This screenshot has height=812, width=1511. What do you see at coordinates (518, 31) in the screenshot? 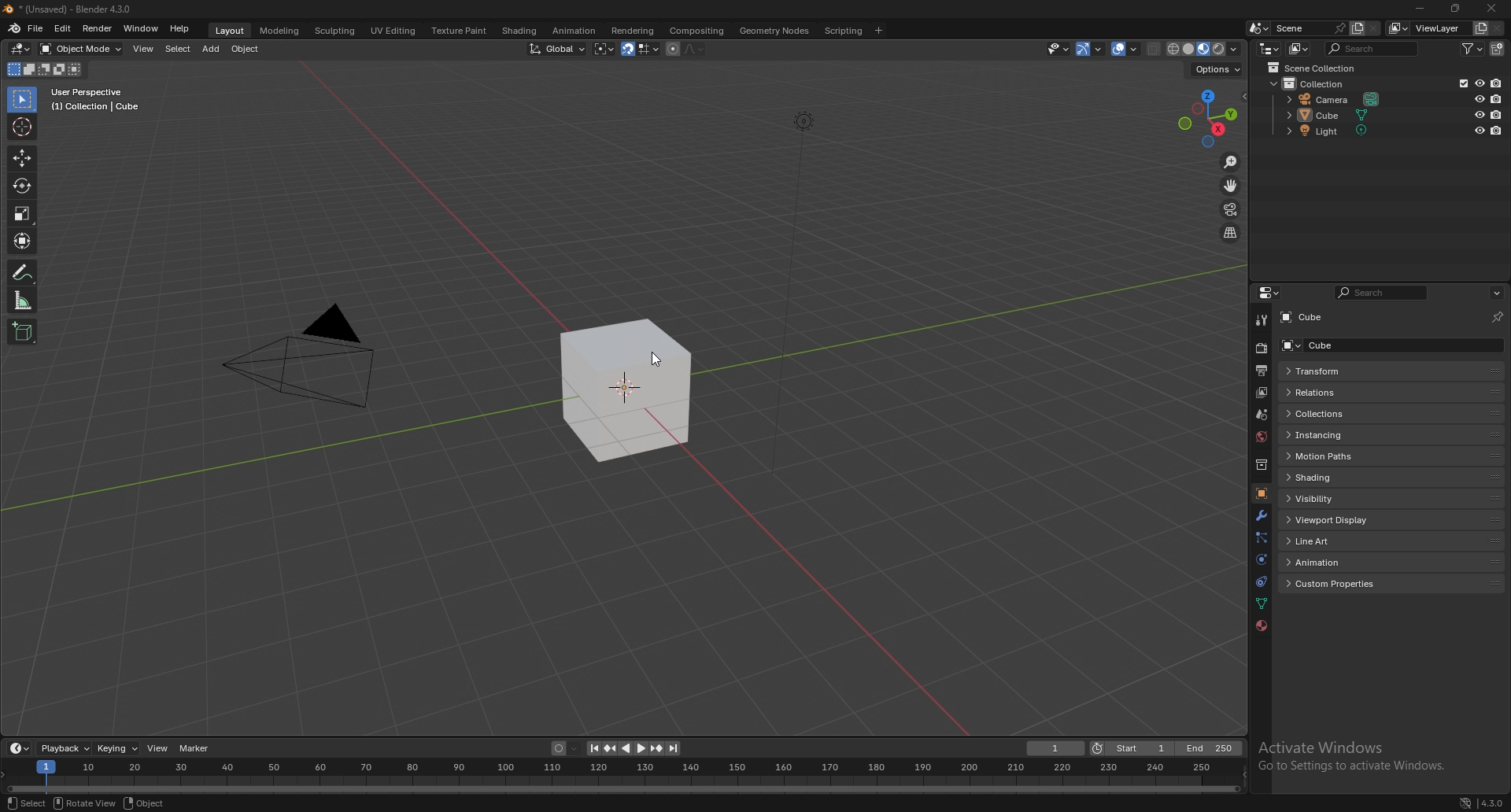
I see `shading` at bounding box center [518, 31].